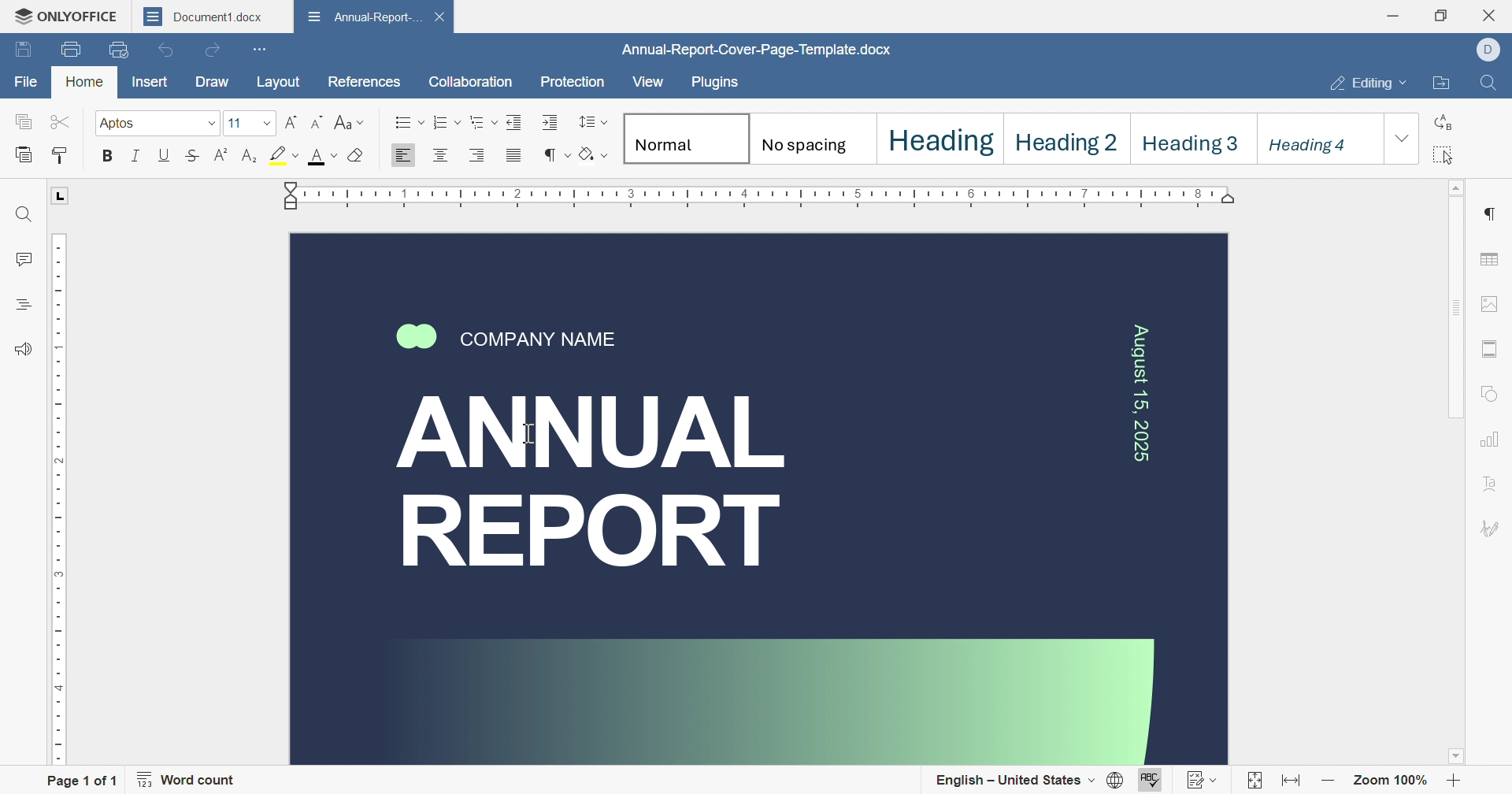 The width and height of the screenshot is (1512, 794). What do you see at coordinates (1369, 86) in the screenshot?
I see `editing` at bounding box center [1369, 86].